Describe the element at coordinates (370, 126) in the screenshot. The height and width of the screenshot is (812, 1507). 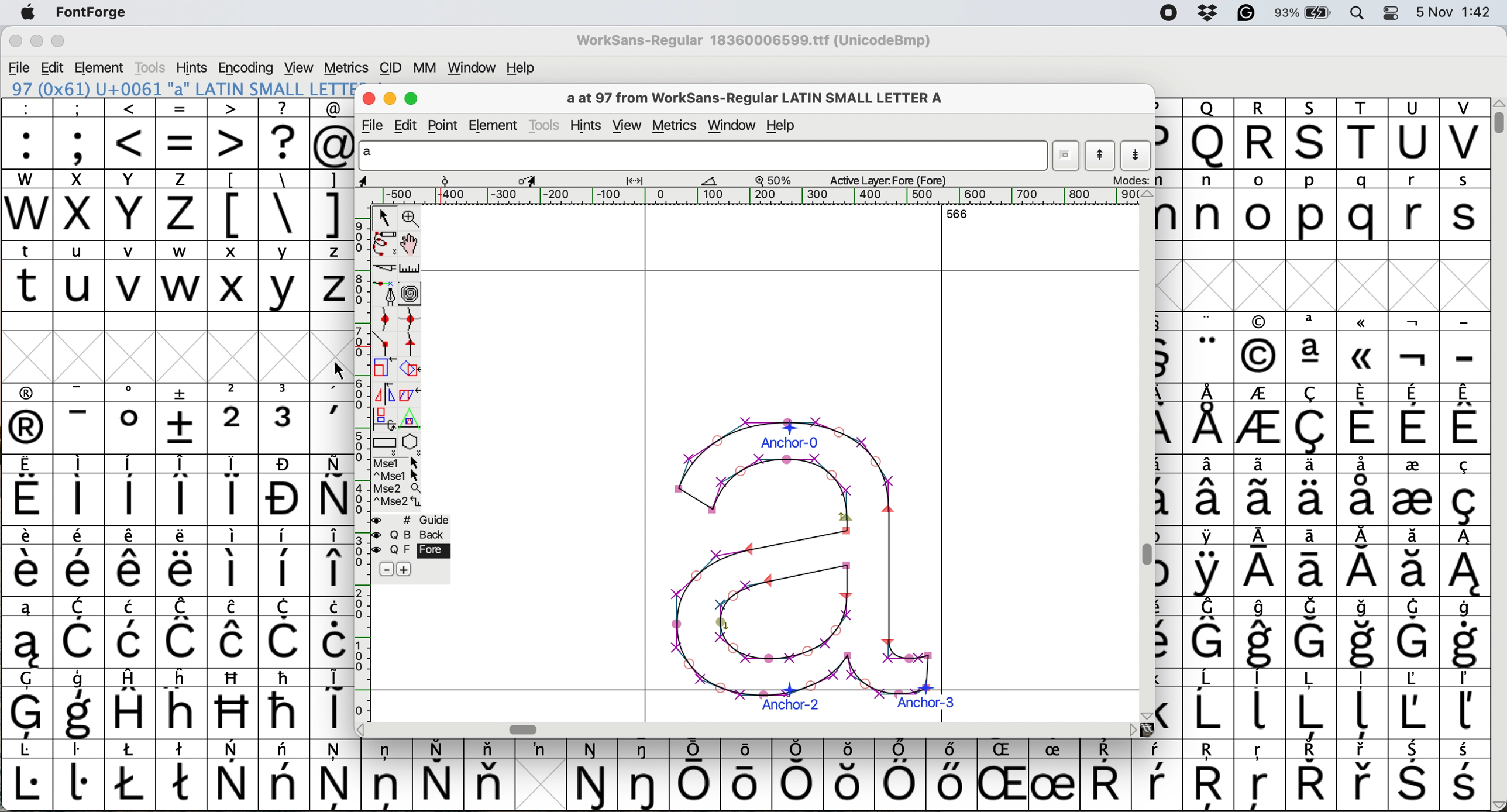
I see `file` at that location.